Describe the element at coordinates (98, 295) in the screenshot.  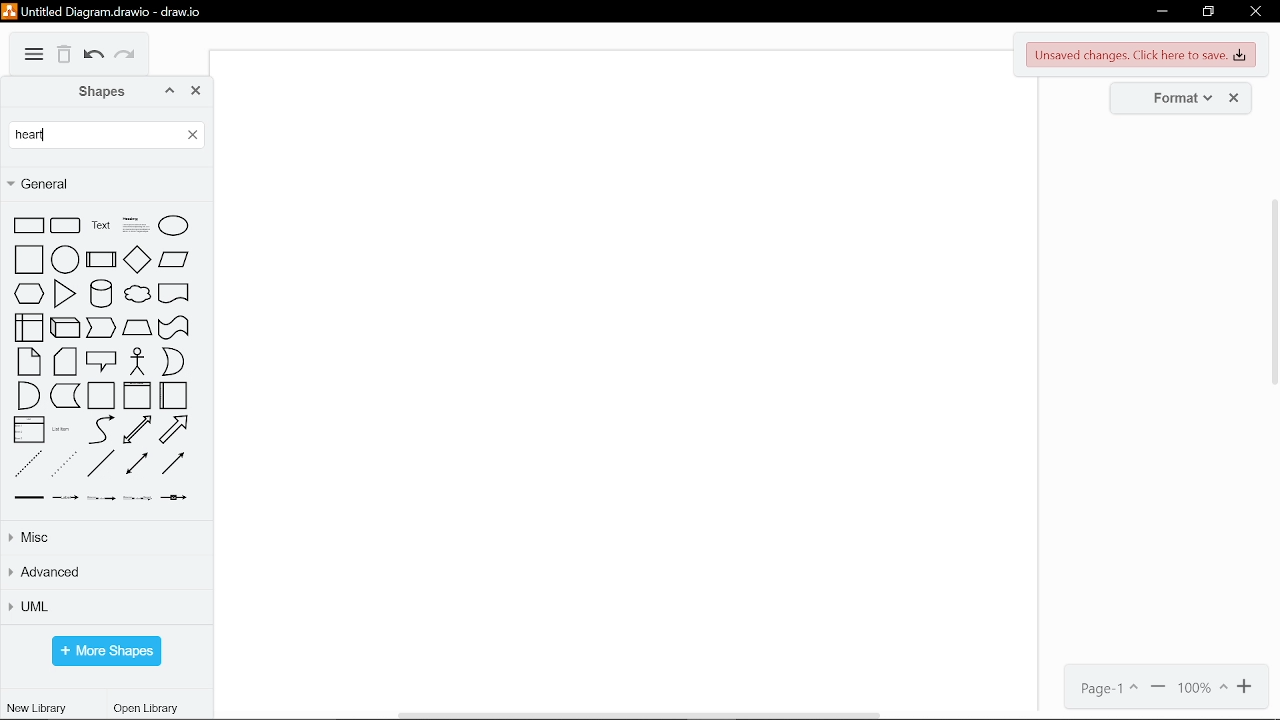
I see `cylinder` at that location.